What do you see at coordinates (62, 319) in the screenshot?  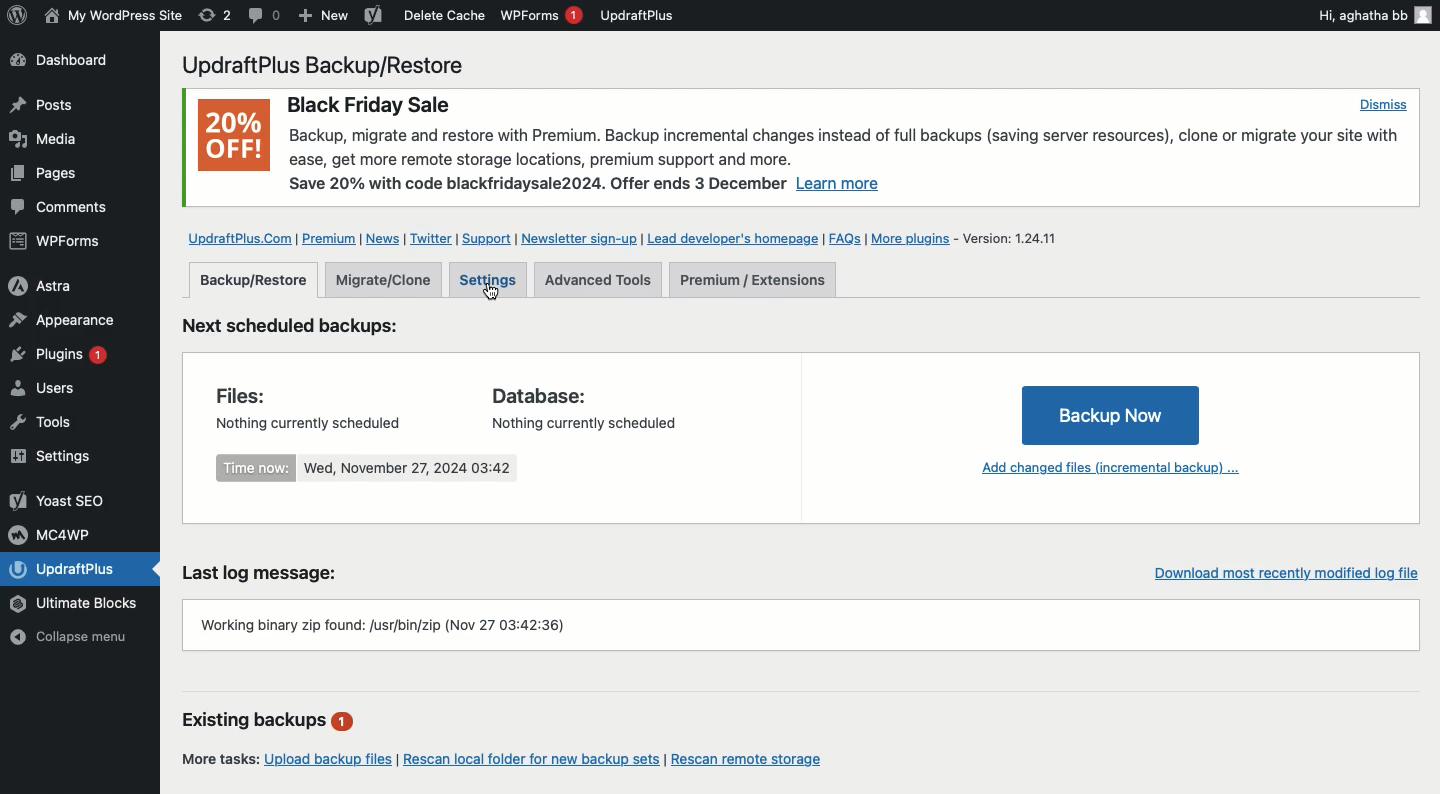 I see `Appearance` at bounding box center [62, 319].